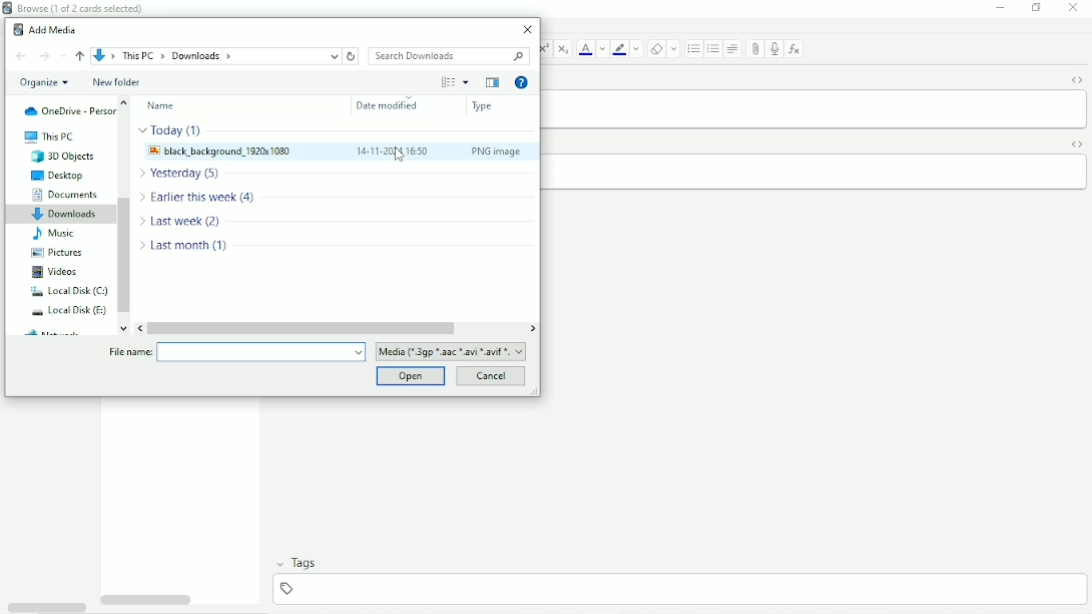 The image size is (1092, 614). I want to click on Recent locations, so click(64, 55).